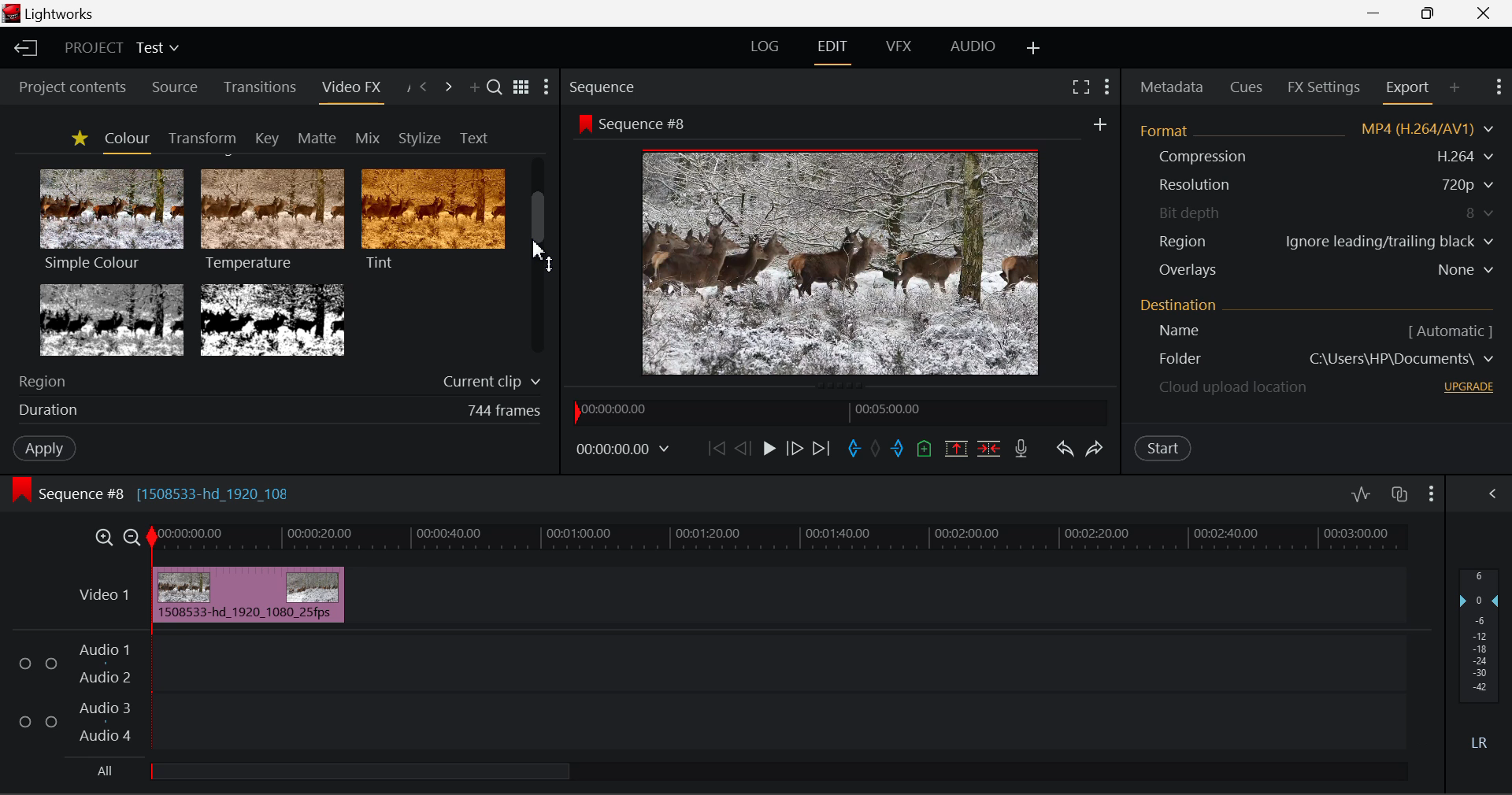 The width and height of the screenshot is (1512, 795). What do you see at coordinates (1180, 304) in the screenshot?
I see `Destination` at bounding box center [1180, 304].